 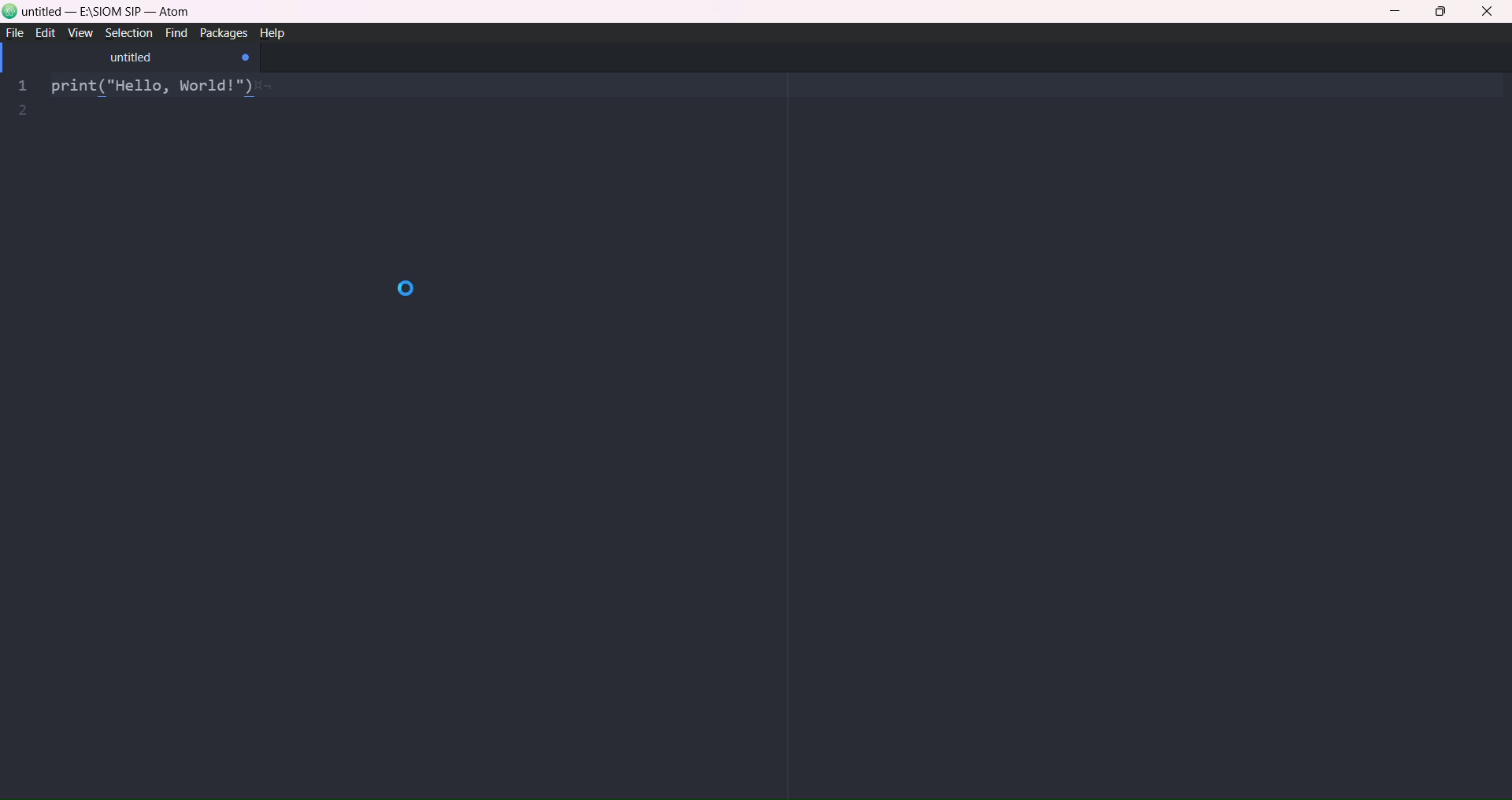 I want to click on line number, so click(x=22, y=98).